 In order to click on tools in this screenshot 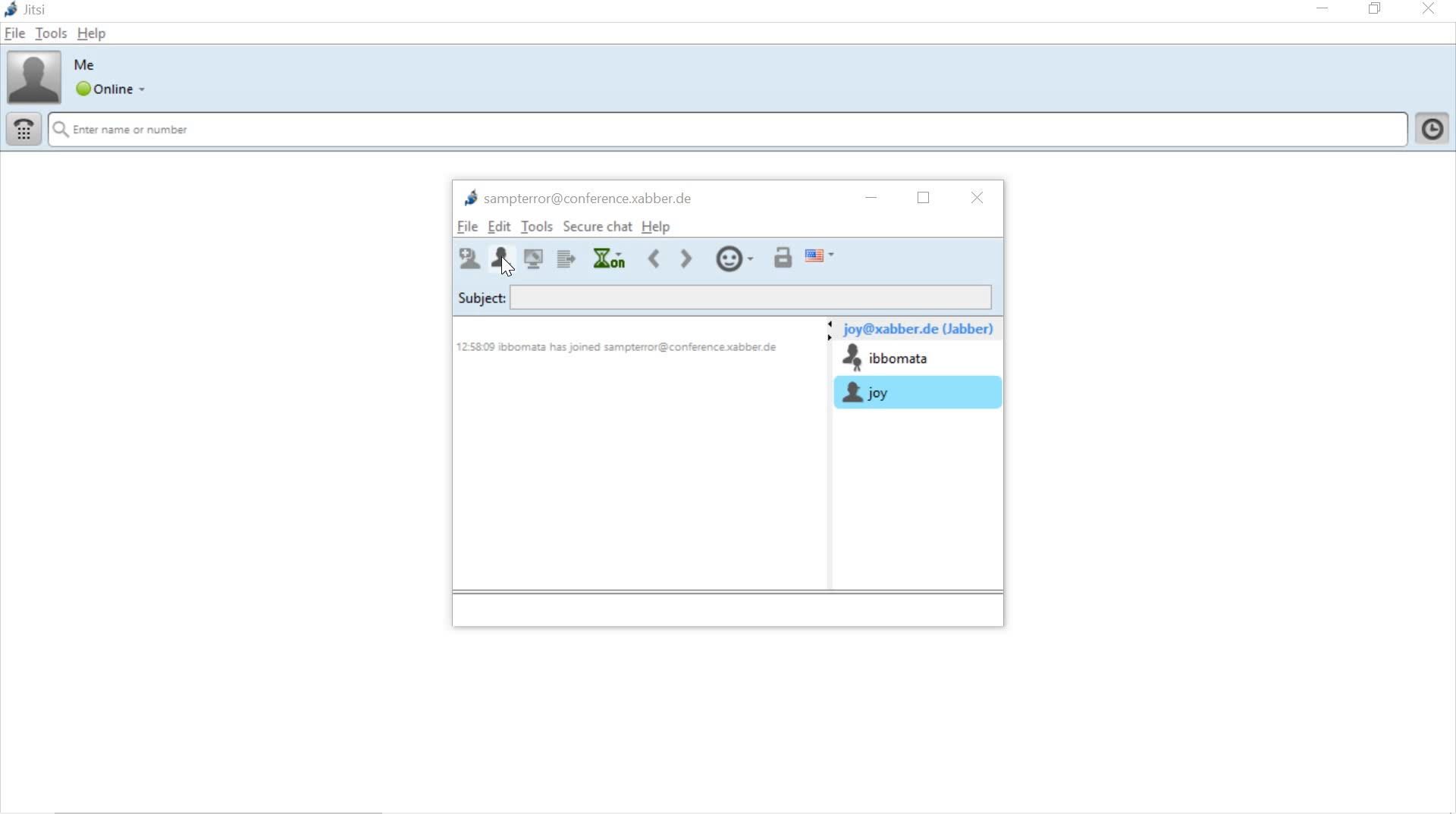, I will do `click(538, 227)`.